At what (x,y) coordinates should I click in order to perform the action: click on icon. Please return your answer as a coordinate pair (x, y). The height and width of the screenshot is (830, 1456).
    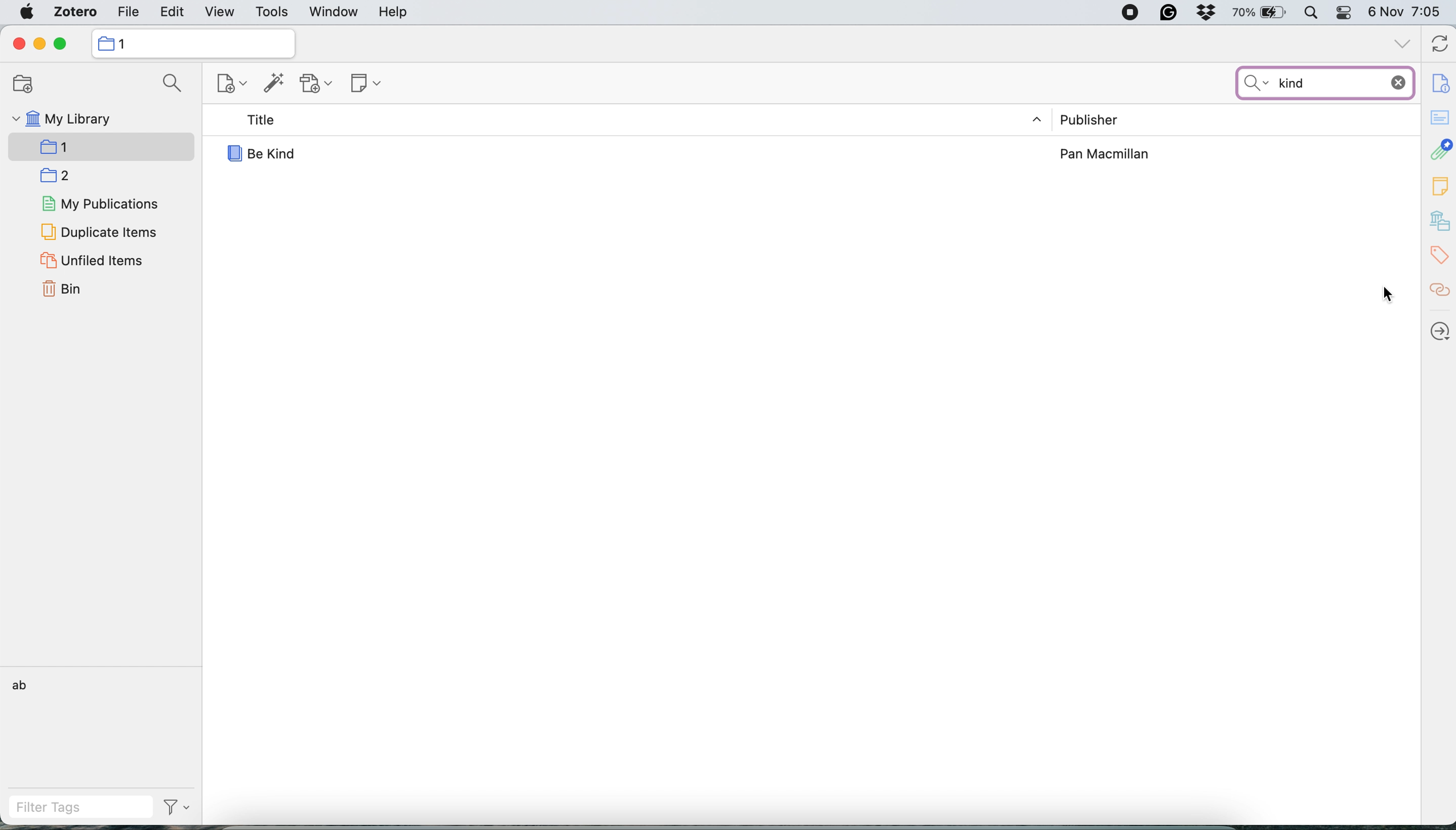
    Looking at the image, I should click on (233, 153).